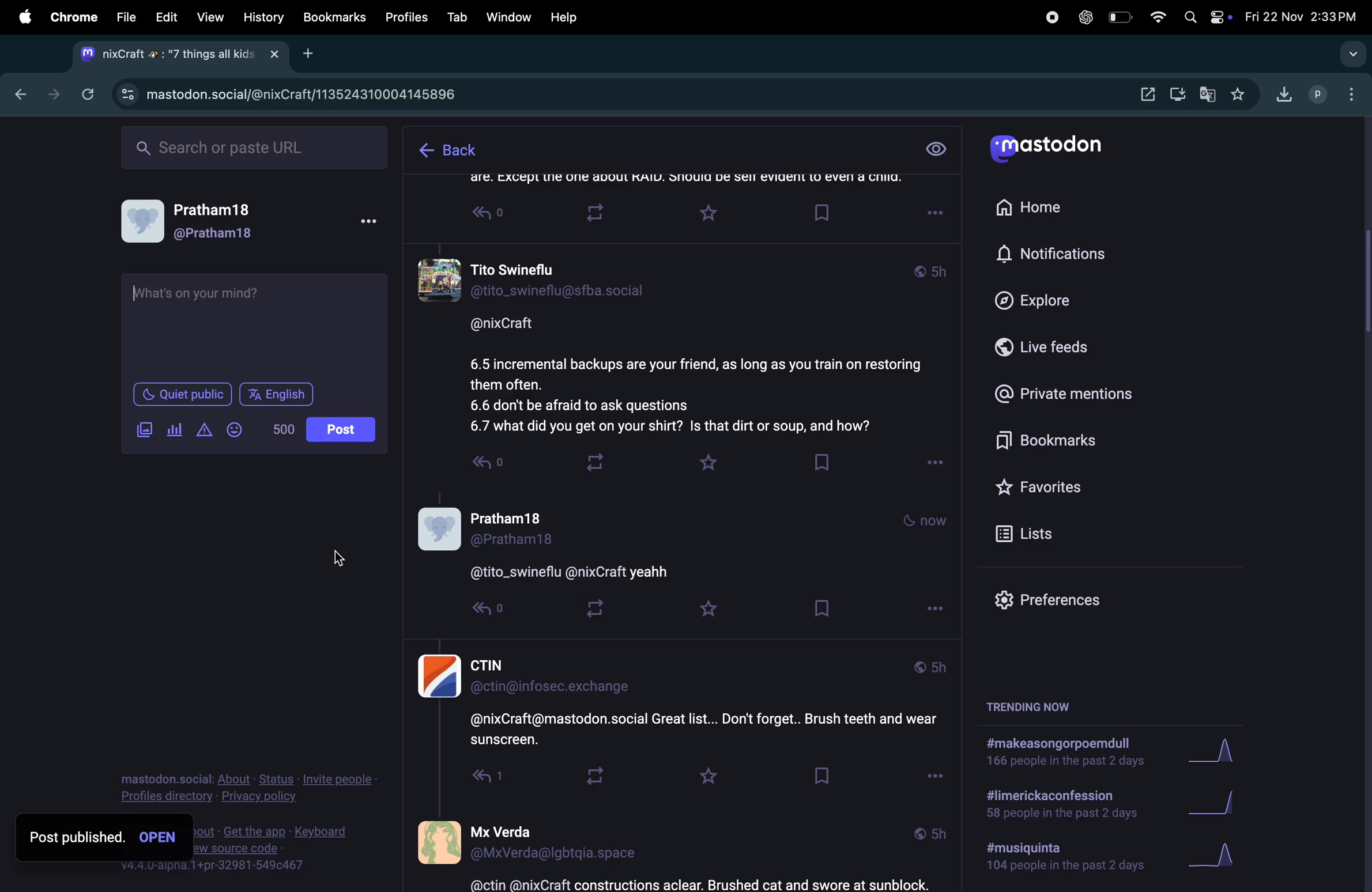 This screenshot has height=892, width=1372. Describe the element at coordinates (141, 429) in the screenshot. I see `add image` at that location.